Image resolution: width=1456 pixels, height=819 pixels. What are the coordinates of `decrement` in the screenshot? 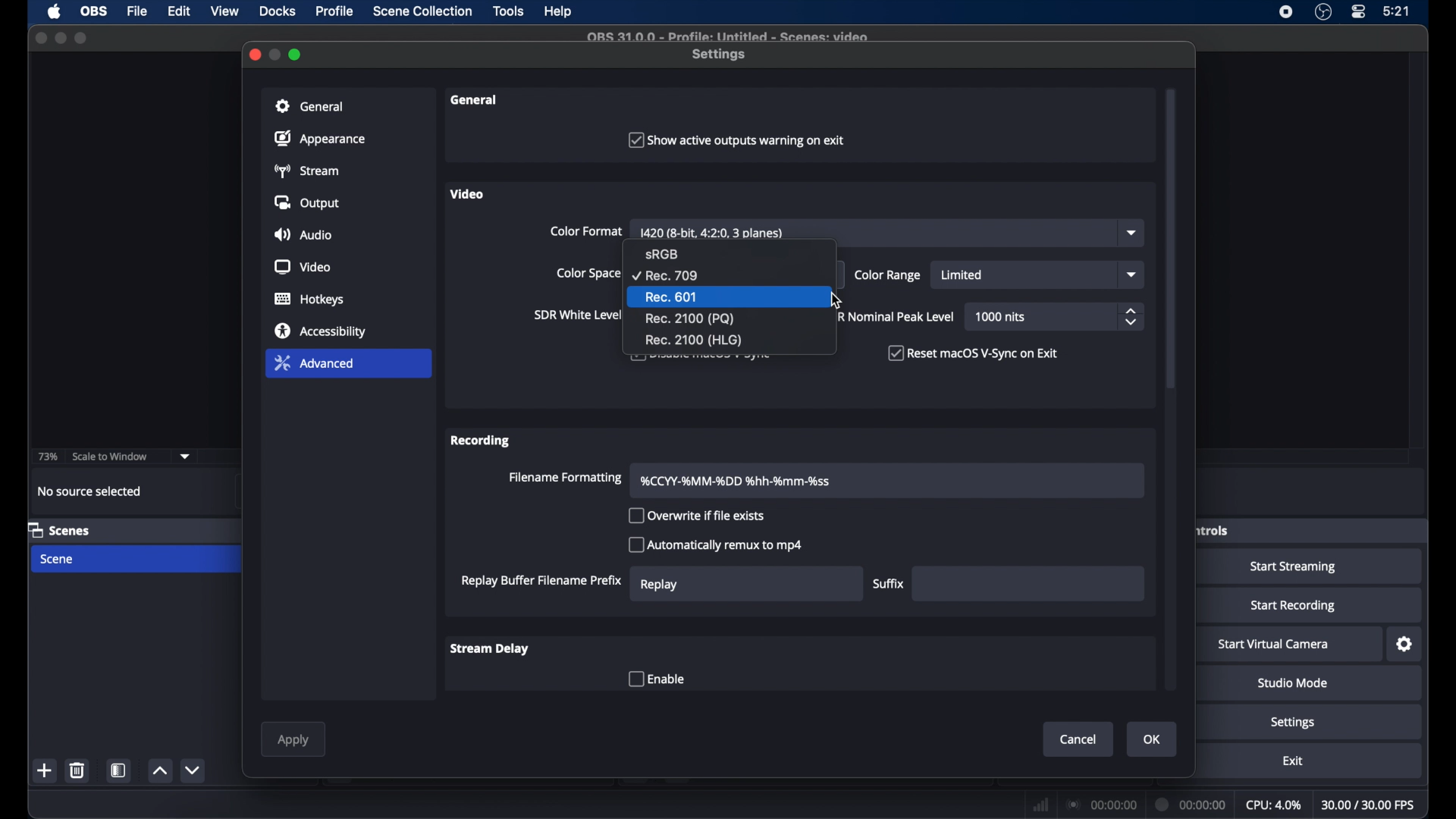 It's located at (195, 770).